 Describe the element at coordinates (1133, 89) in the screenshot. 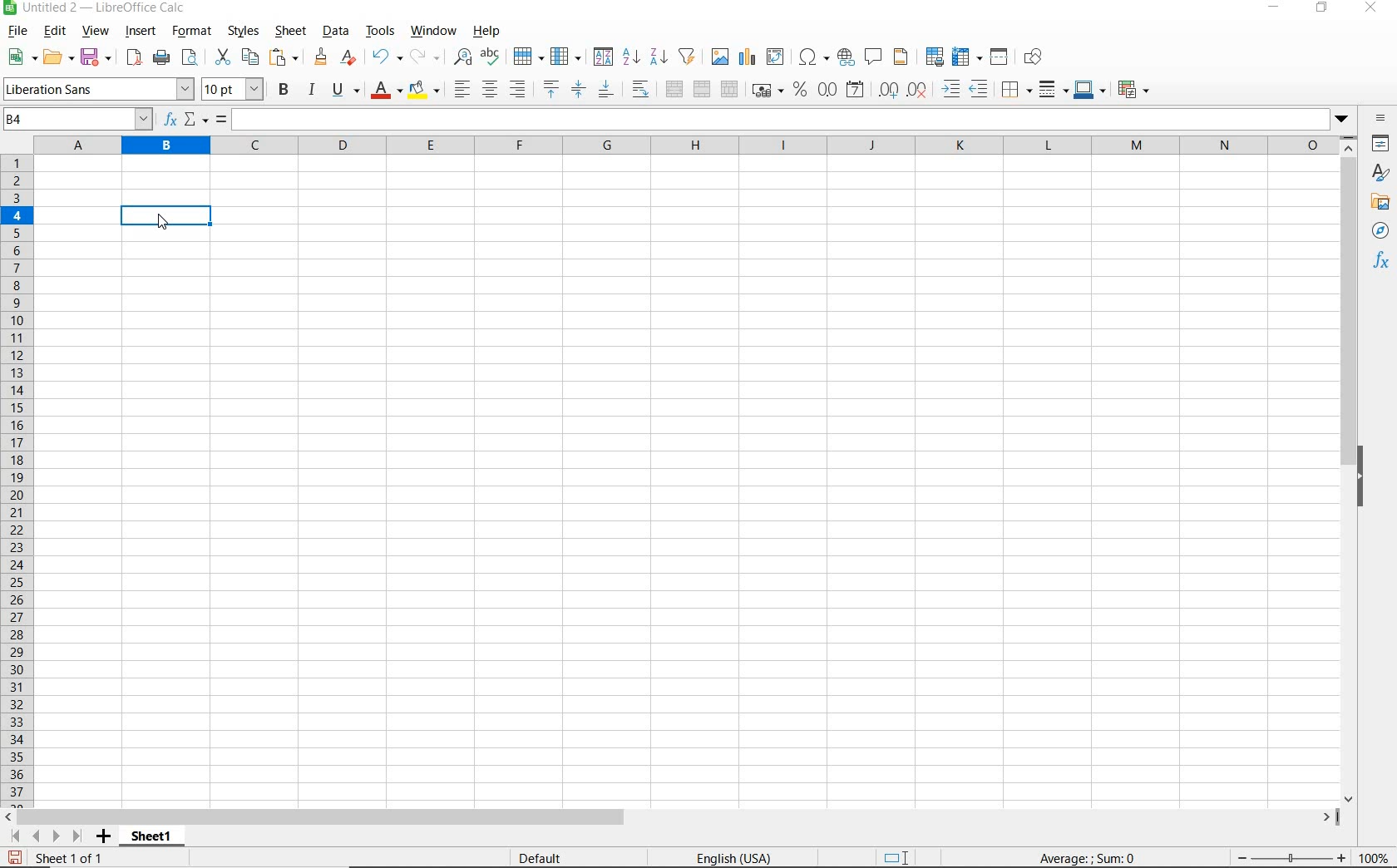

I see `conditional` at that location.